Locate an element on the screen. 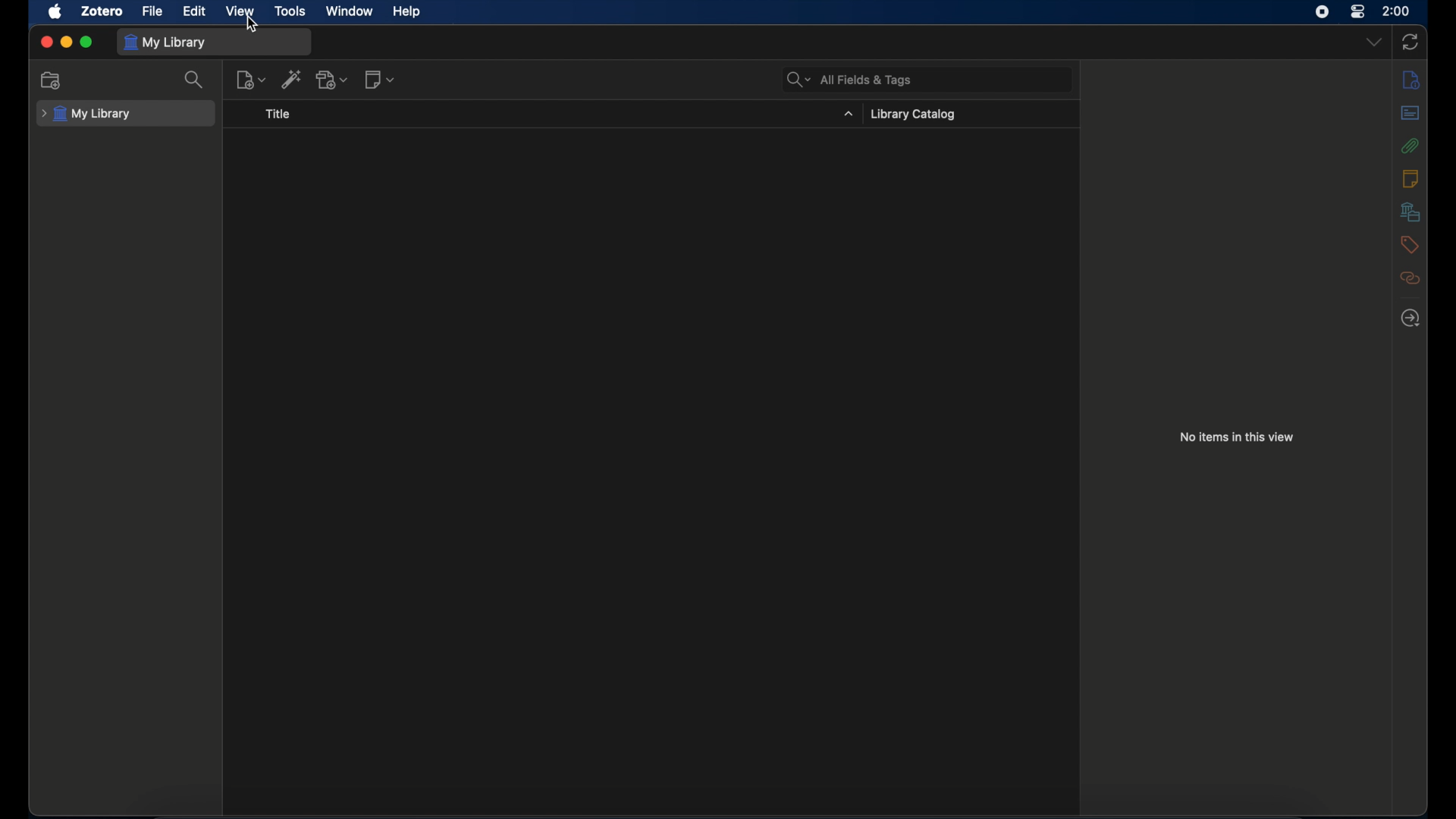  file is located at coordinates (153, 11).